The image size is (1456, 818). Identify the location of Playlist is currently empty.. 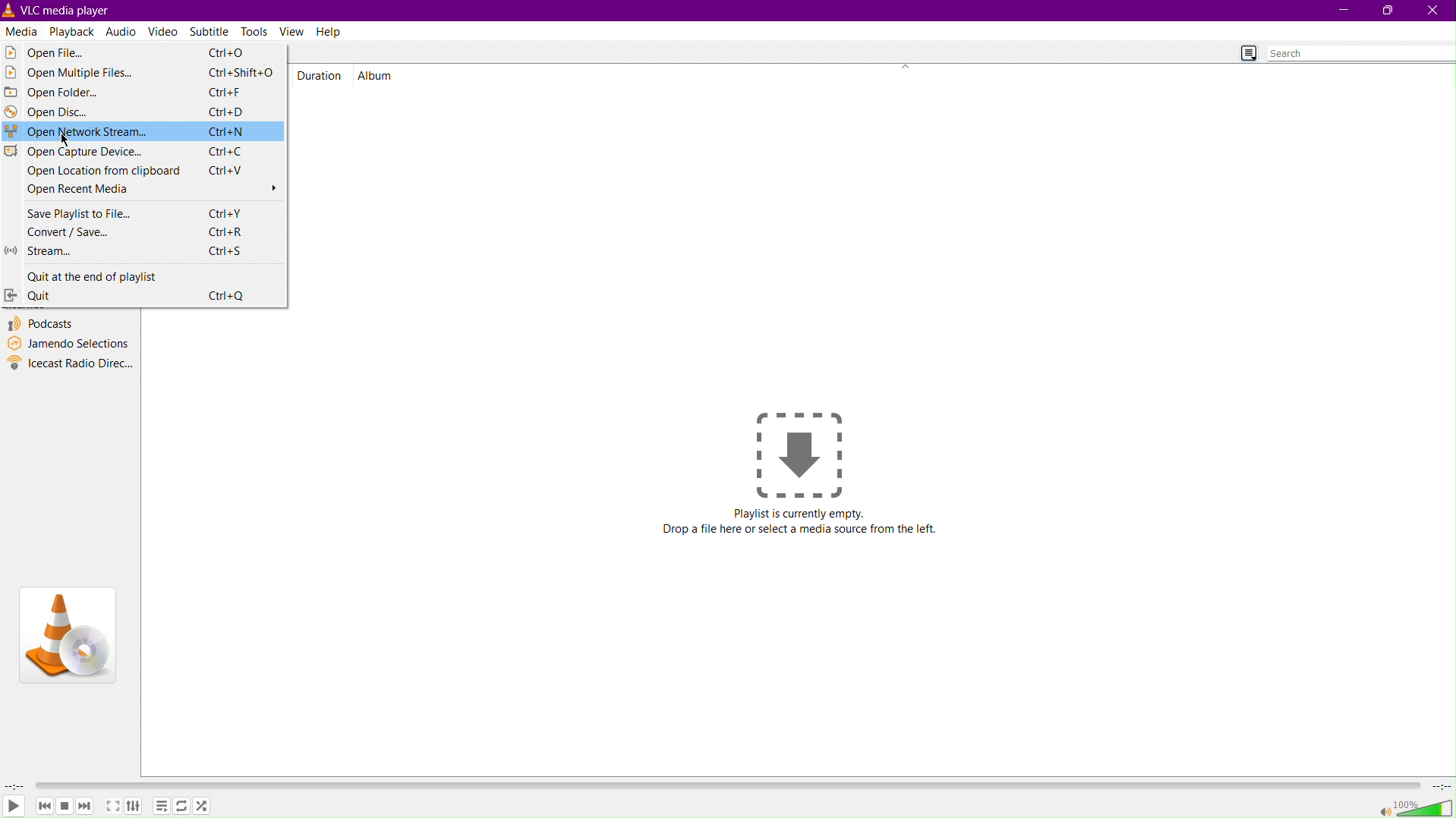
(799, 511).